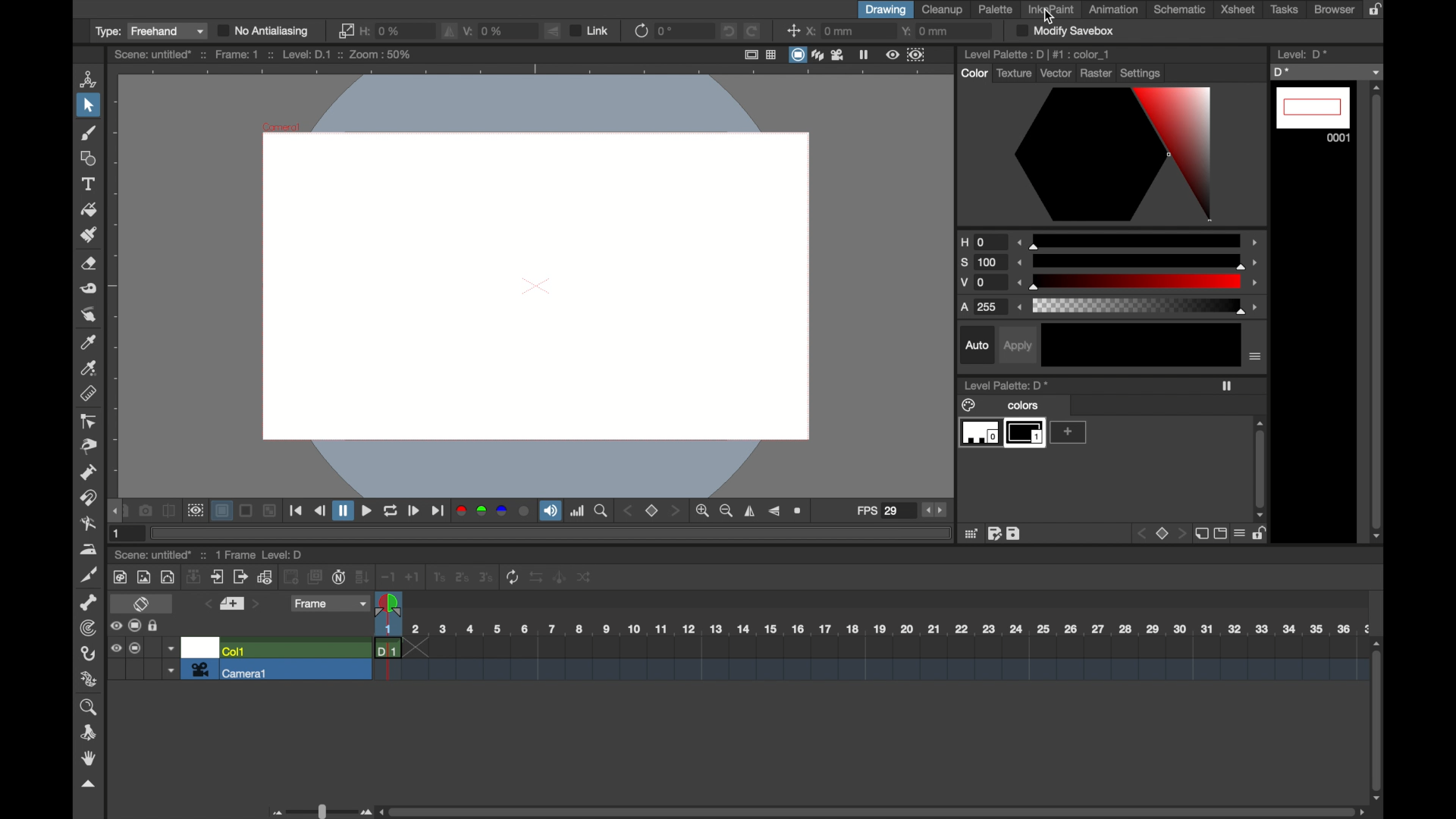  I want to click on scroll box, so click(1377, 310).